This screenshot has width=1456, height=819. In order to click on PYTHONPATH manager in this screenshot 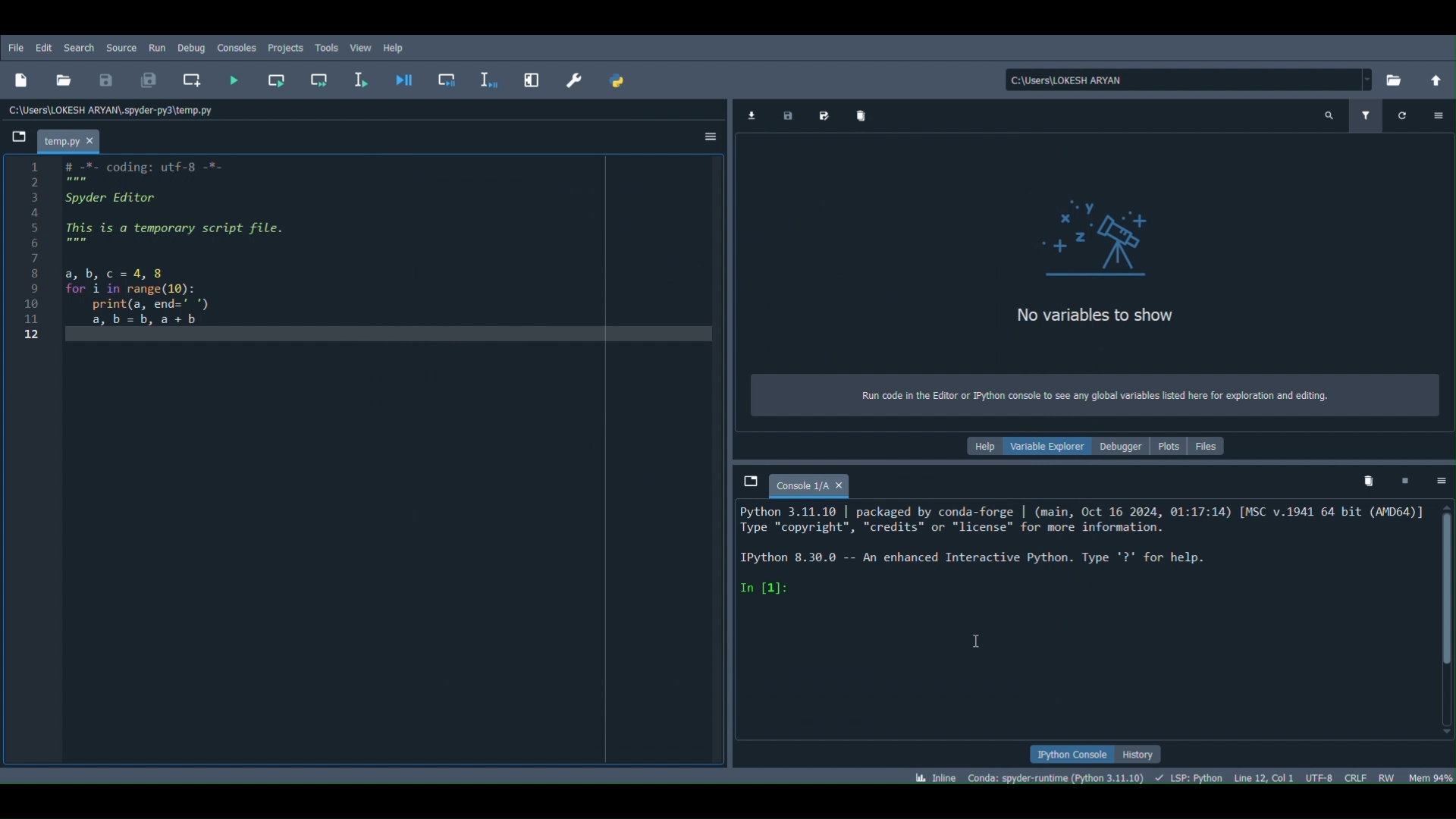, I will do `click(624, 80)`.